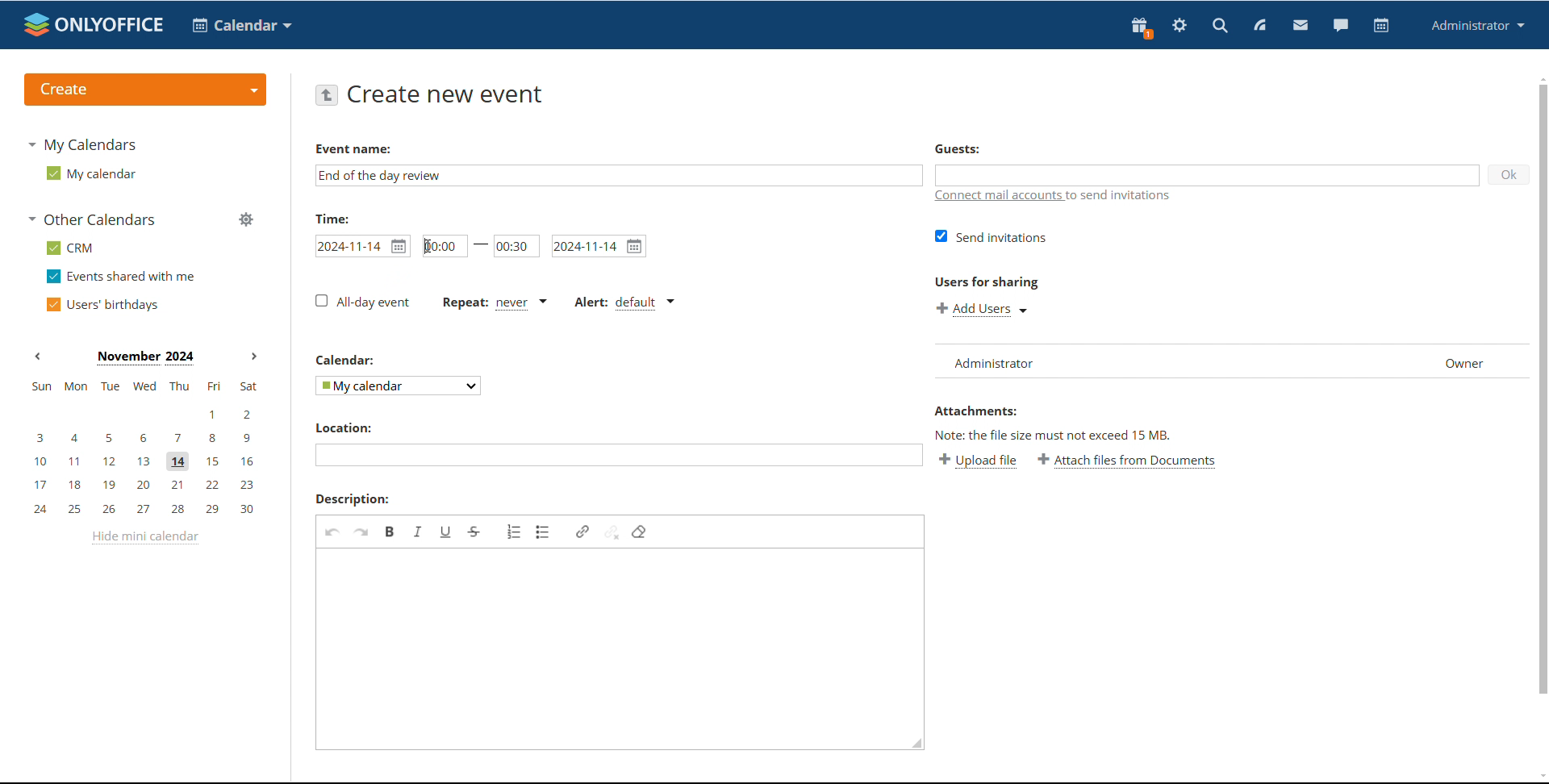 Image resolution: width=1549 pixels, height=784 pixels. I want to click on unlink, so click(612, 531).